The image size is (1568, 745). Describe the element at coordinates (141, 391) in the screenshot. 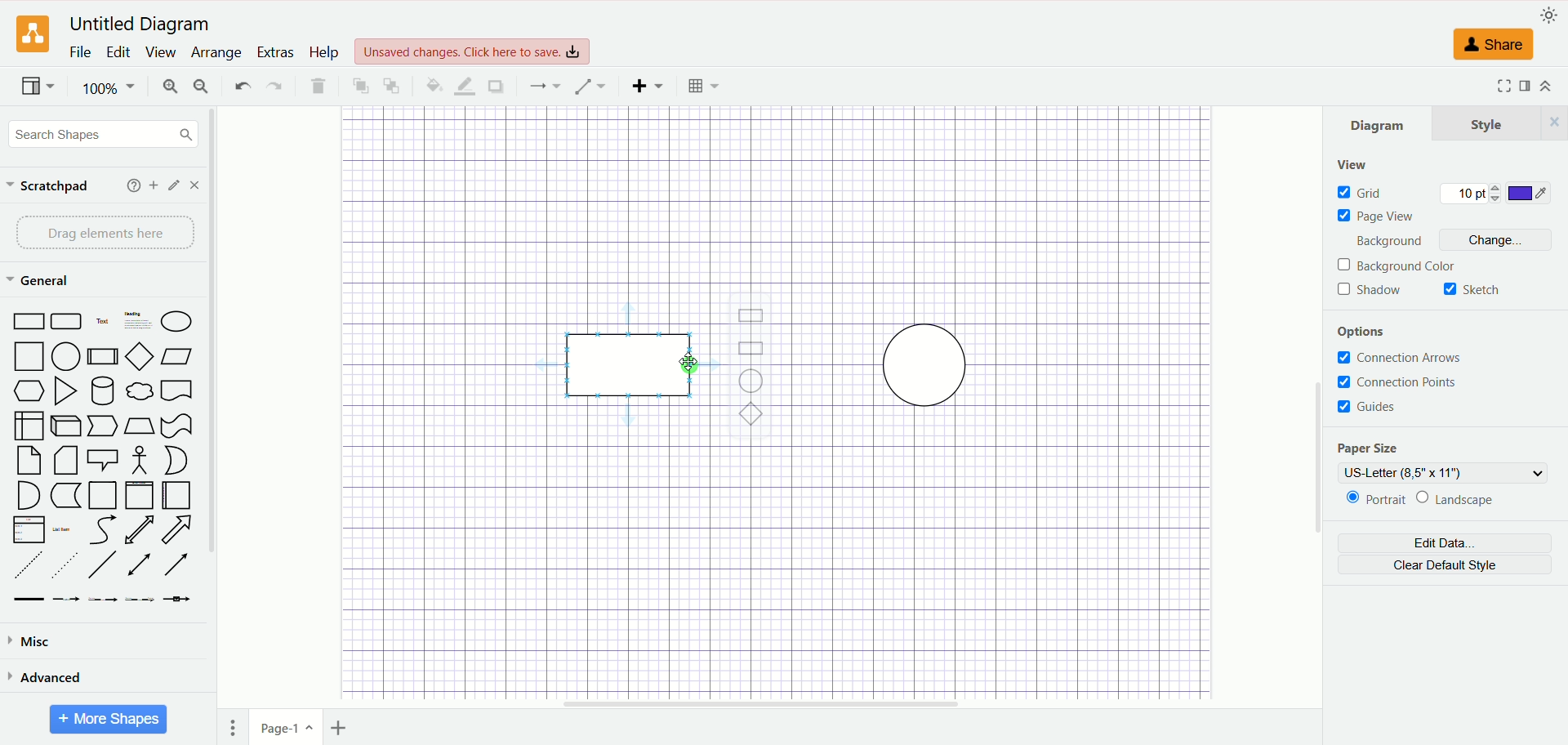

I see `Thought Bubble` at that location.